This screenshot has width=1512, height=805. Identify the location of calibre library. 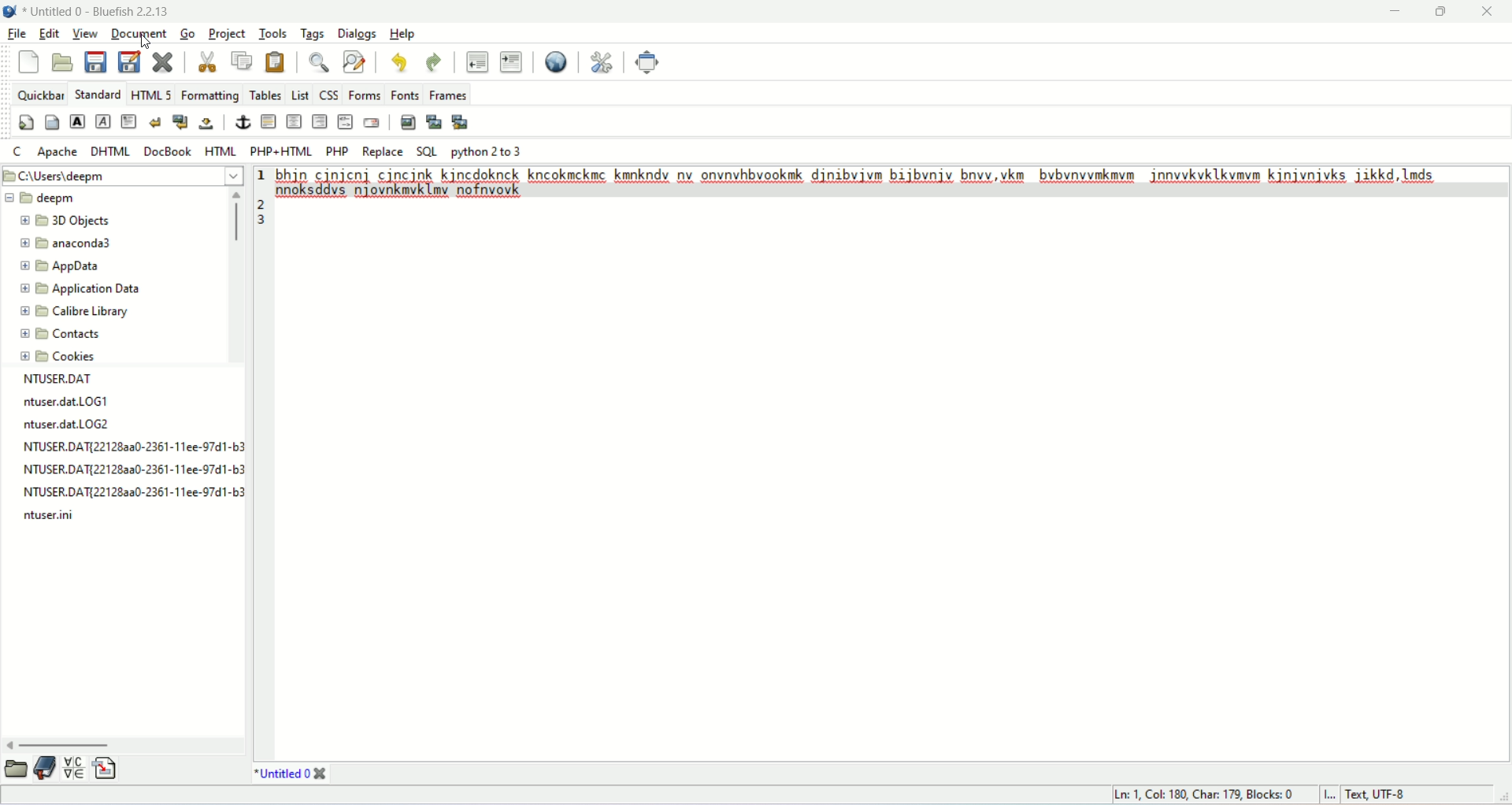
(81, 312).